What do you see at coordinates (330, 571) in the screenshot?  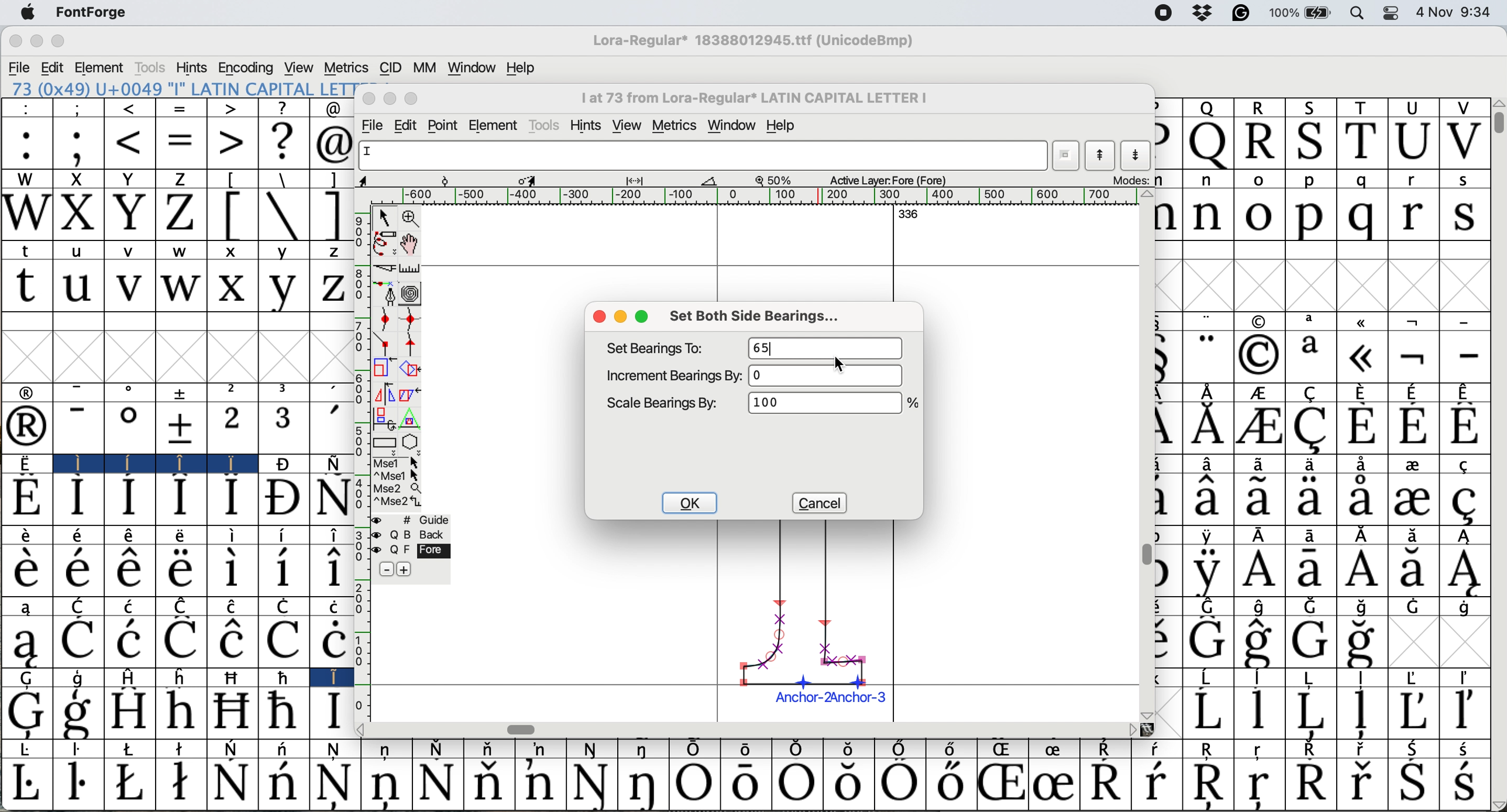 I see `Symbol` at bounding box center [330, 571].